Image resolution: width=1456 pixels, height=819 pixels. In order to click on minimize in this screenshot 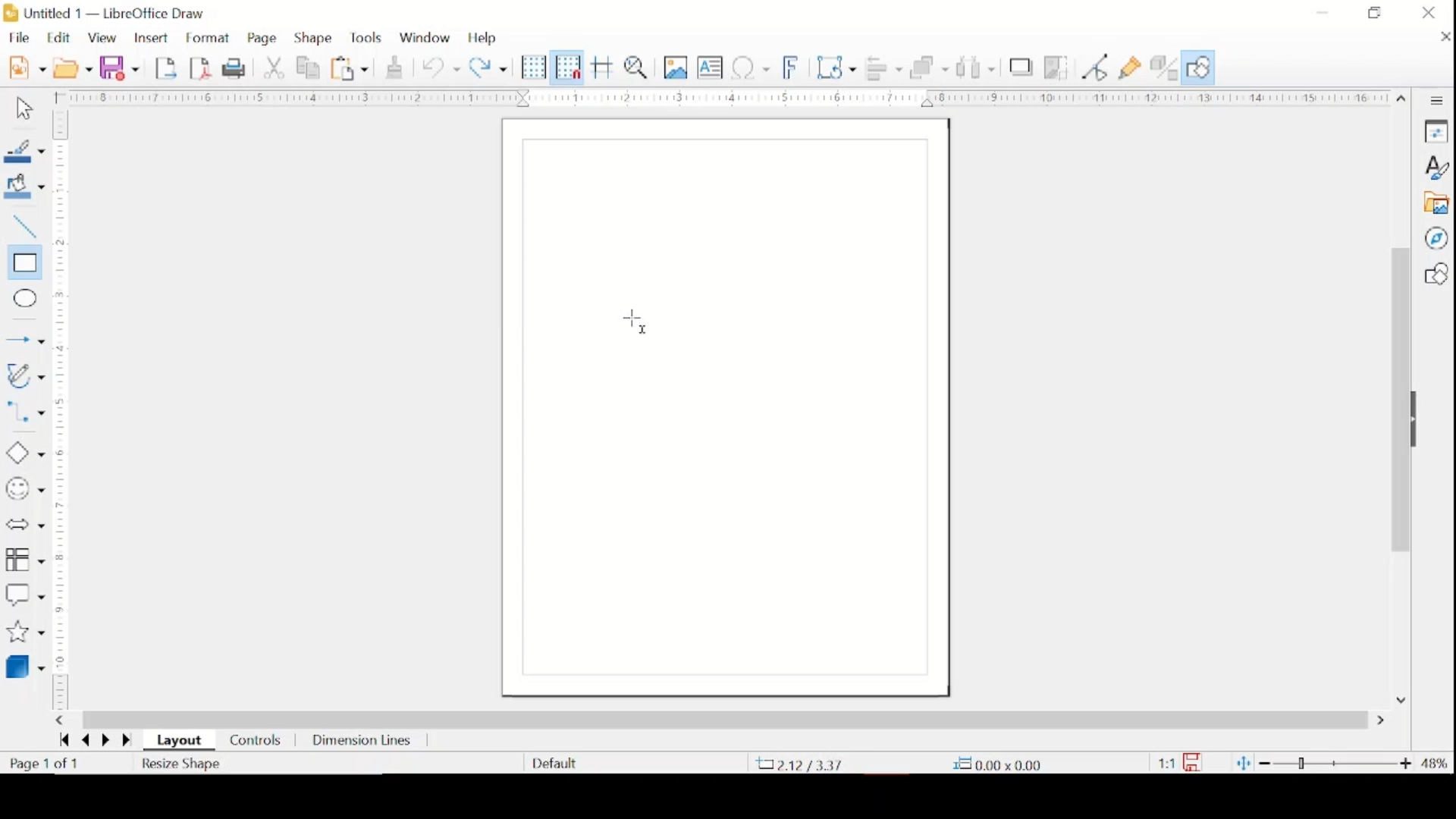, I will do `click(1323, 12)`.